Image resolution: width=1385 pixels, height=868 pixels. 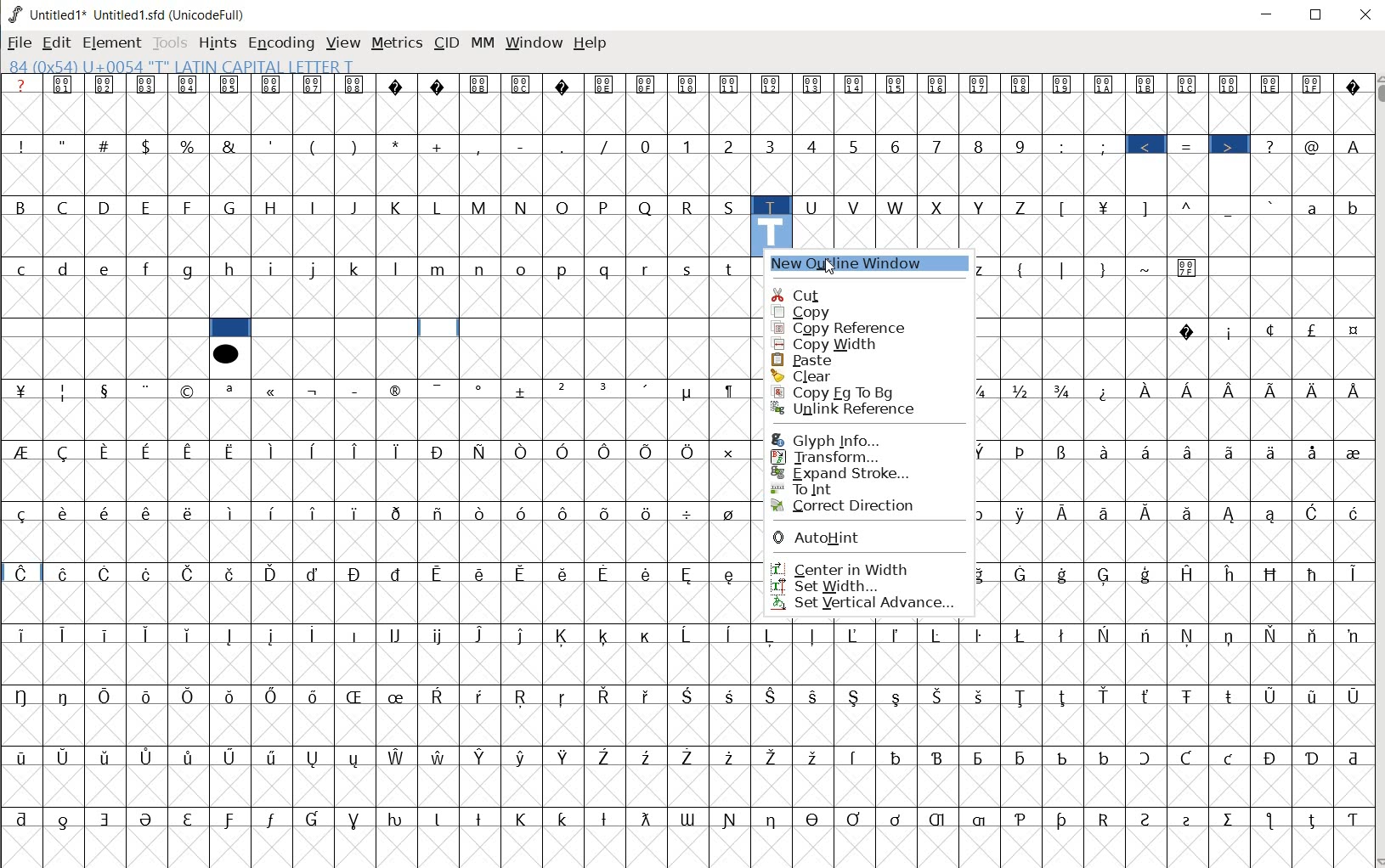 I want to click on Symbol, so click(x=150, y=757).